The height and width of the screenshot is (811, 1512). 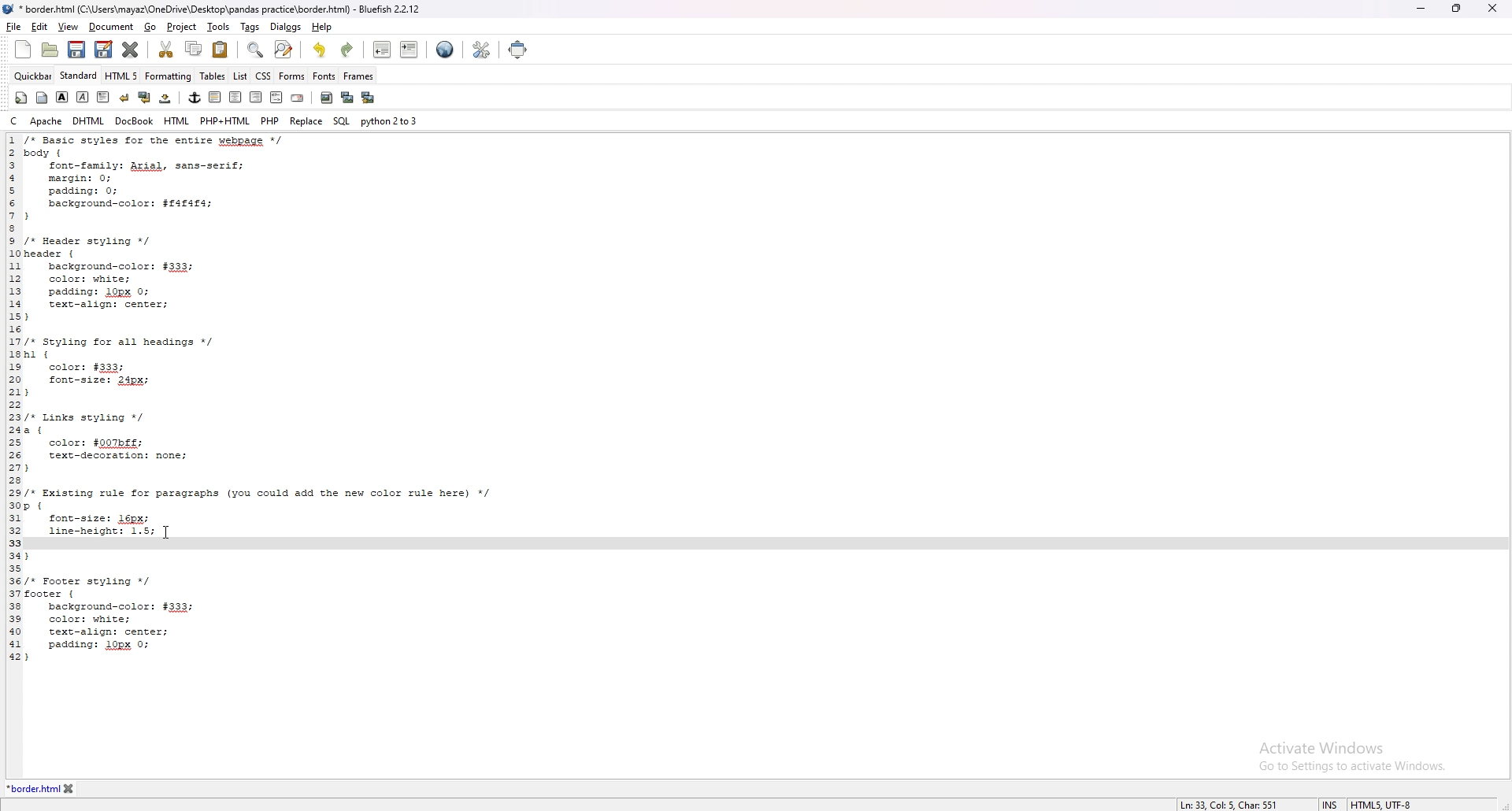 I want to click on standard, so click(x=79, y=75).